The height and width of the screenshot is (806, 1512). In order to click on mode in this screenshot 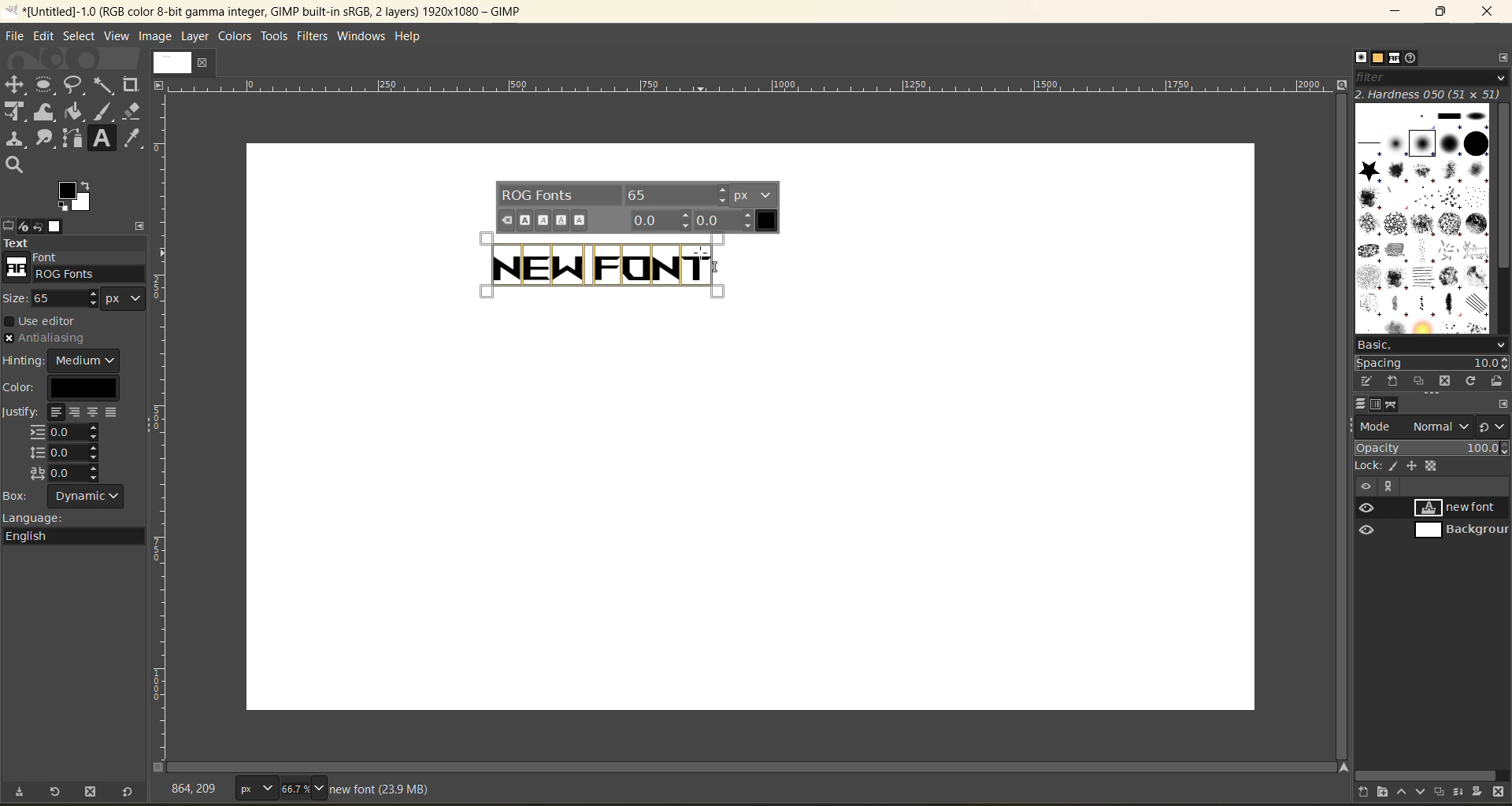, I will do `click(1415, 428)`.